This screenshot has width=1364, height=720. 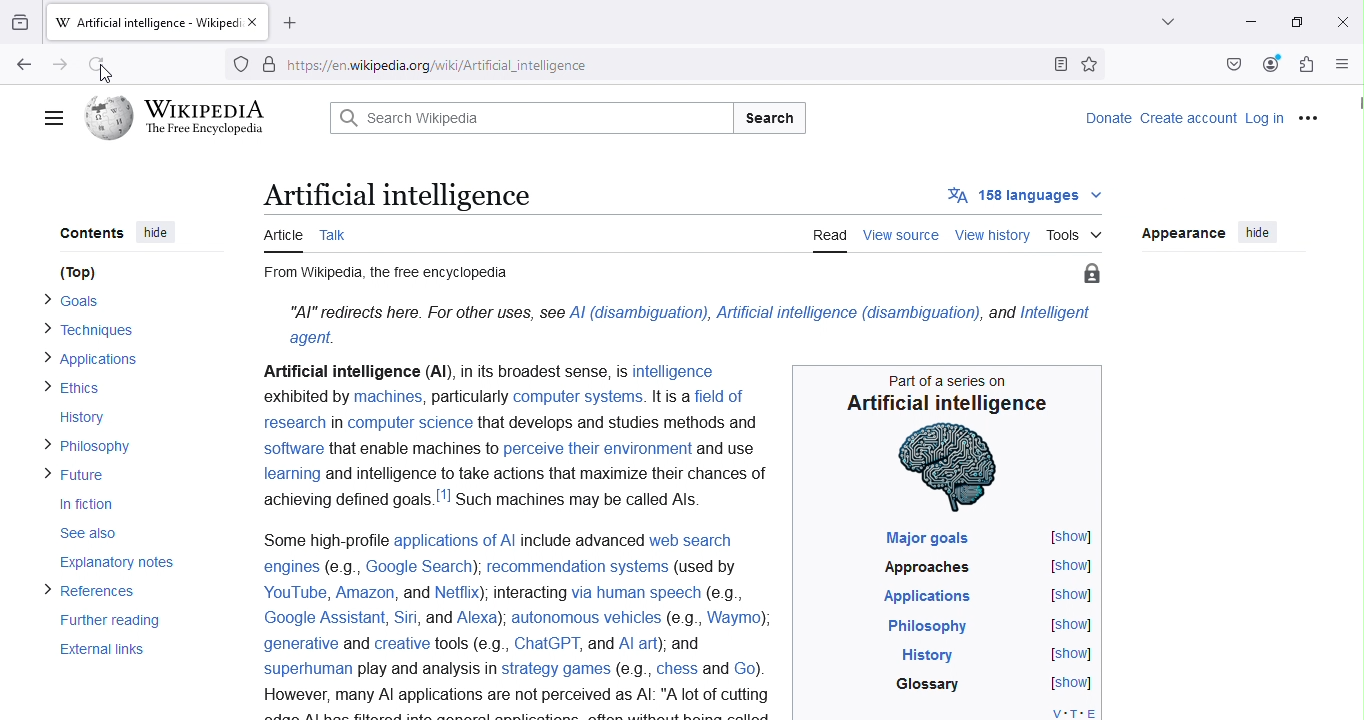 I want to click on V-T-E, so click(x=1078, y=710).